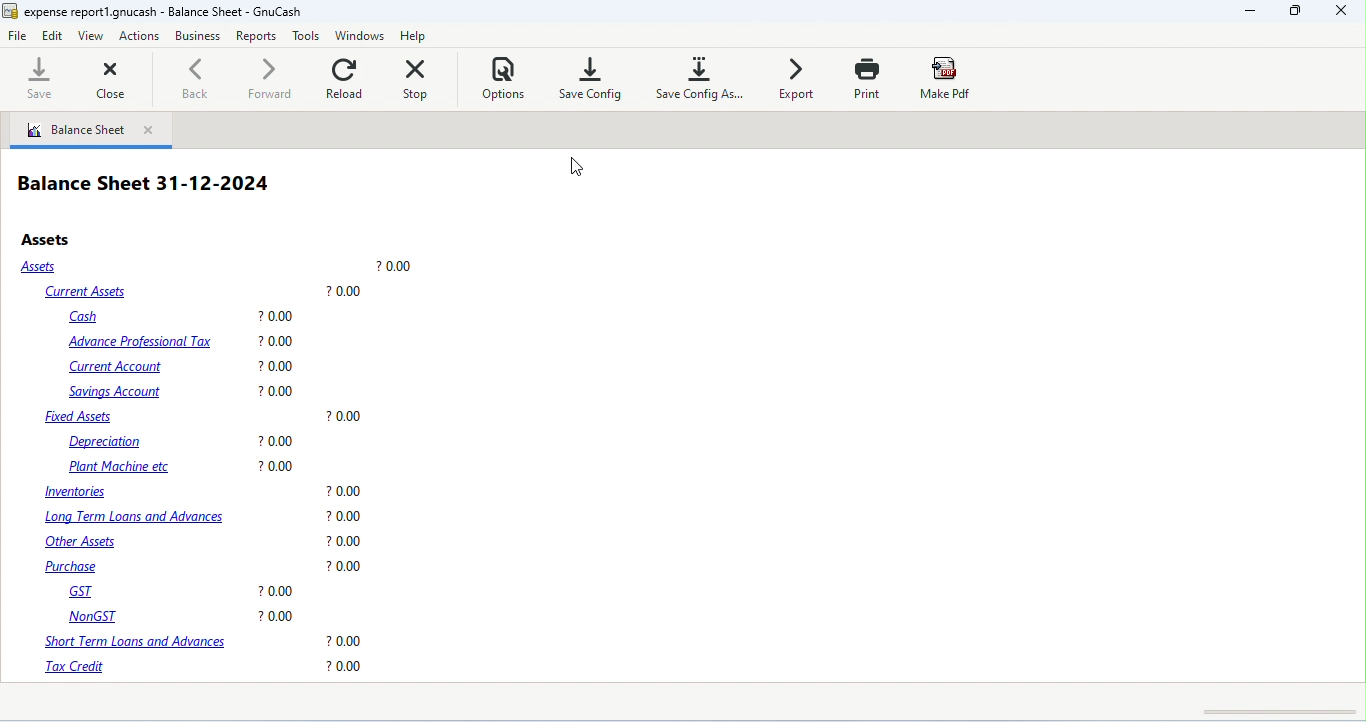 This screenshot has height=722, width=1366. What do you see at coordinates (182, 467) in the screenshot?
I see `plant machine etc` at bounding box center [182, 467].